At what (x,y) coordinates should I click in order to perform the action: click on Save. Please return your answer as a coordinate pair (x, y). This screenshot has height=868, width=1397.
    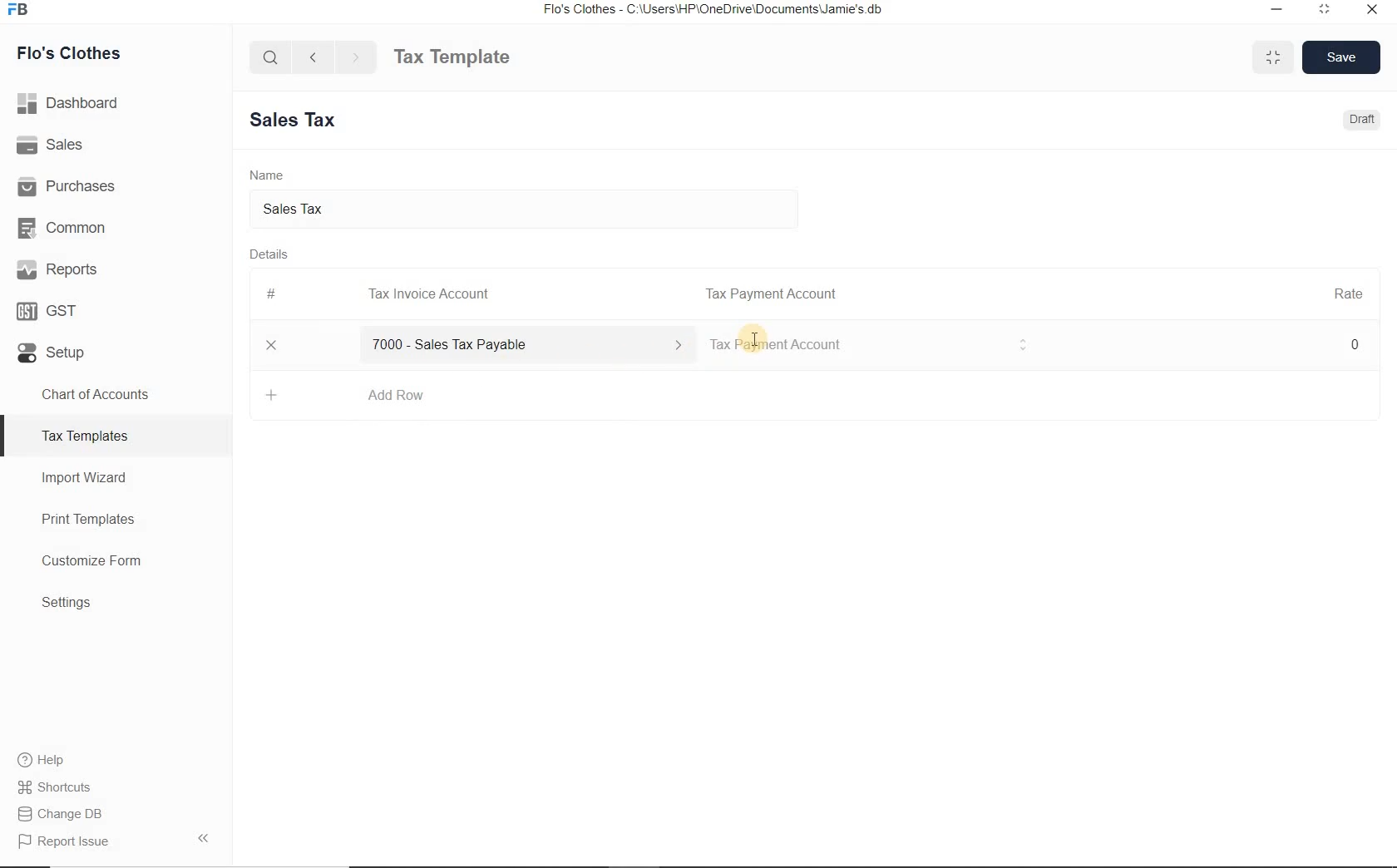
    Looking at the image, I should click on (1342, 57).